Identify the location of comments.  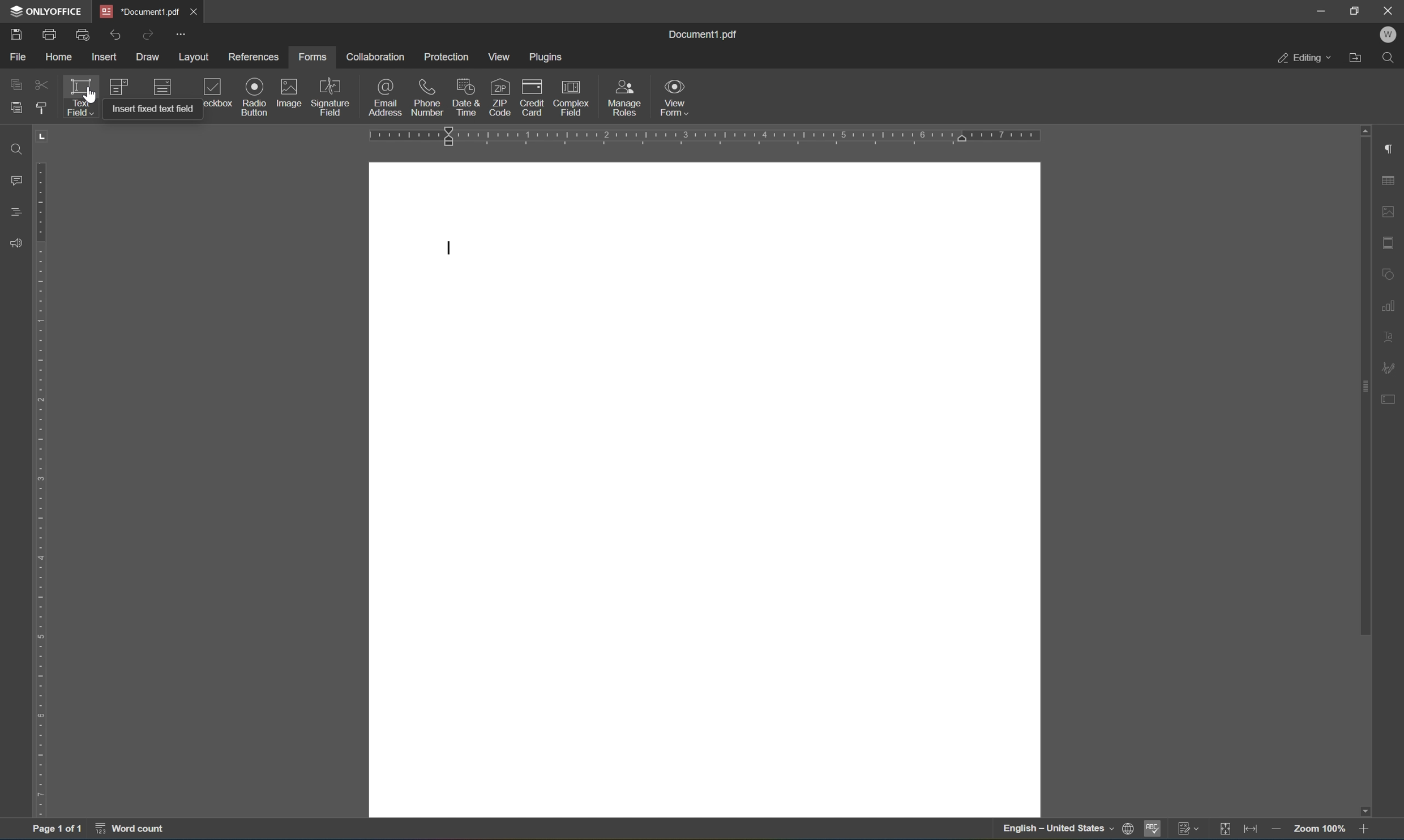
(13, 182).